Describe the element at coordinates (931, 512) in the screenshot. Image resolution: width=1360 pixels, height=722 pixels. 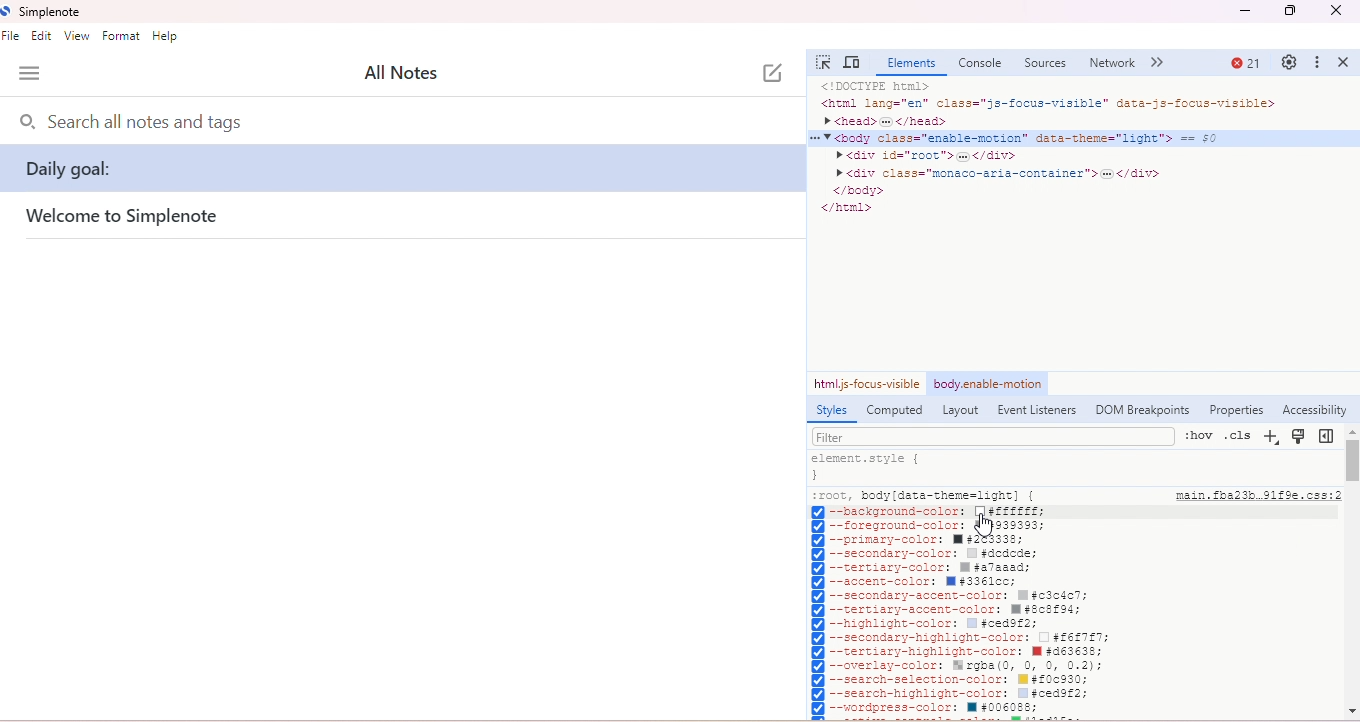
I see `--background-color: ` at that location.